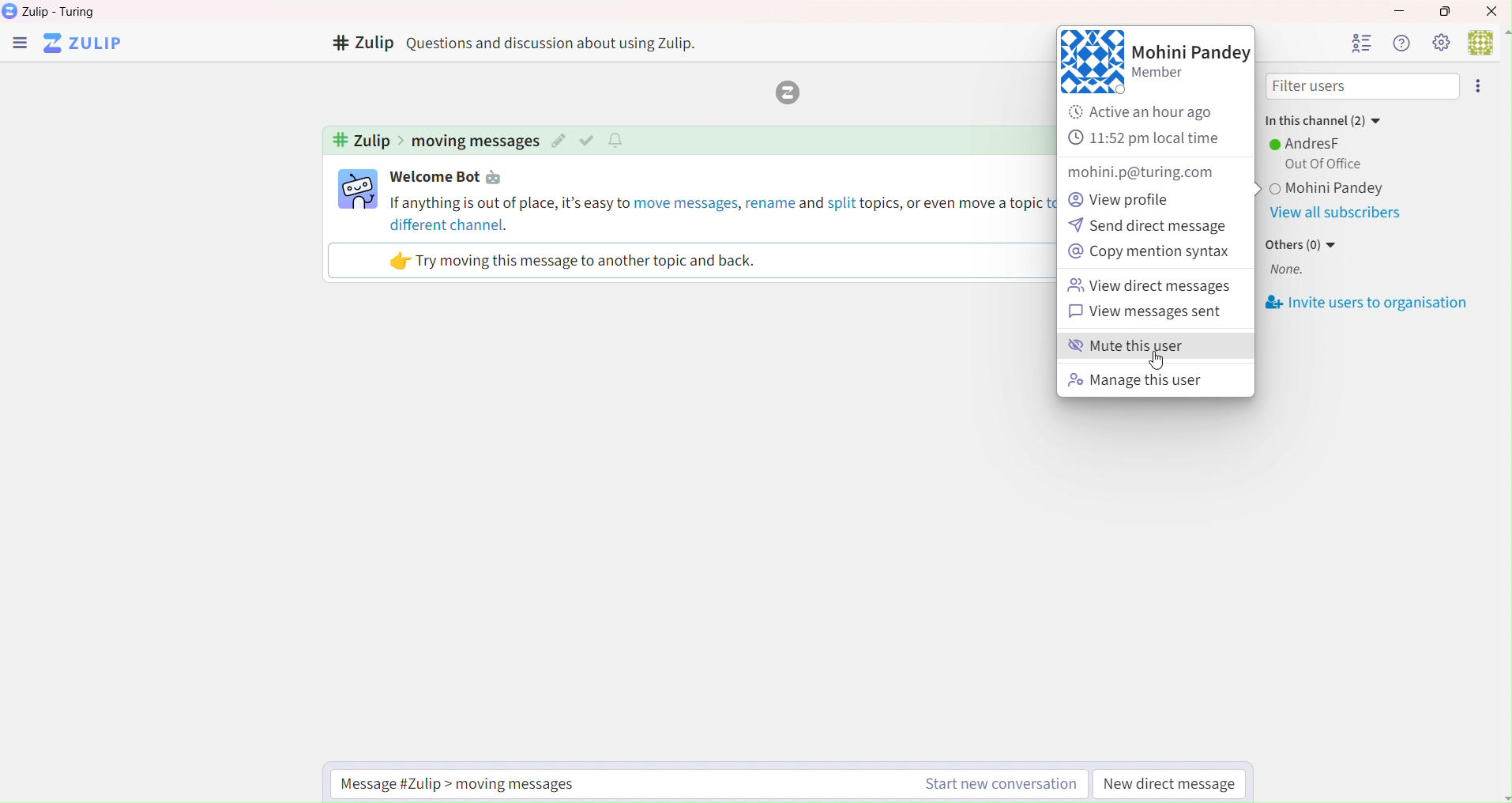 This screenshot has width=1512, height=803. Describe the element at coordinates (1151, 288) in the screenshot. I see `view direct messages` at that location.